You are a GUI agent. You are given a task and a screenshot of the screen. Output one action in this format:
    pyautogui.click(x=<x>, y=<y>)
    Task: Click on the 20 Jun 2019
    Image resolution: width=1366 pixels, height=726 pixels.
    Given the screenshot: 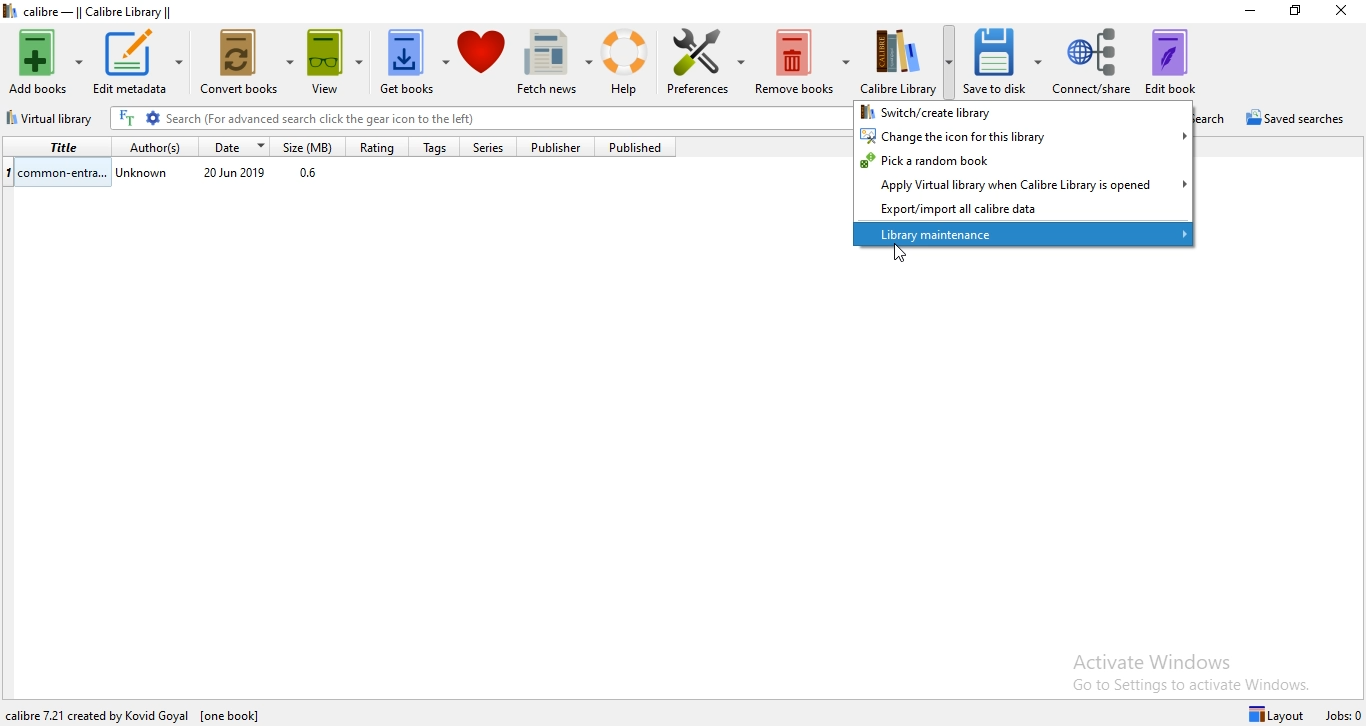 What is the action you would take?
    pyautogui.click(x=236, y=174)
    